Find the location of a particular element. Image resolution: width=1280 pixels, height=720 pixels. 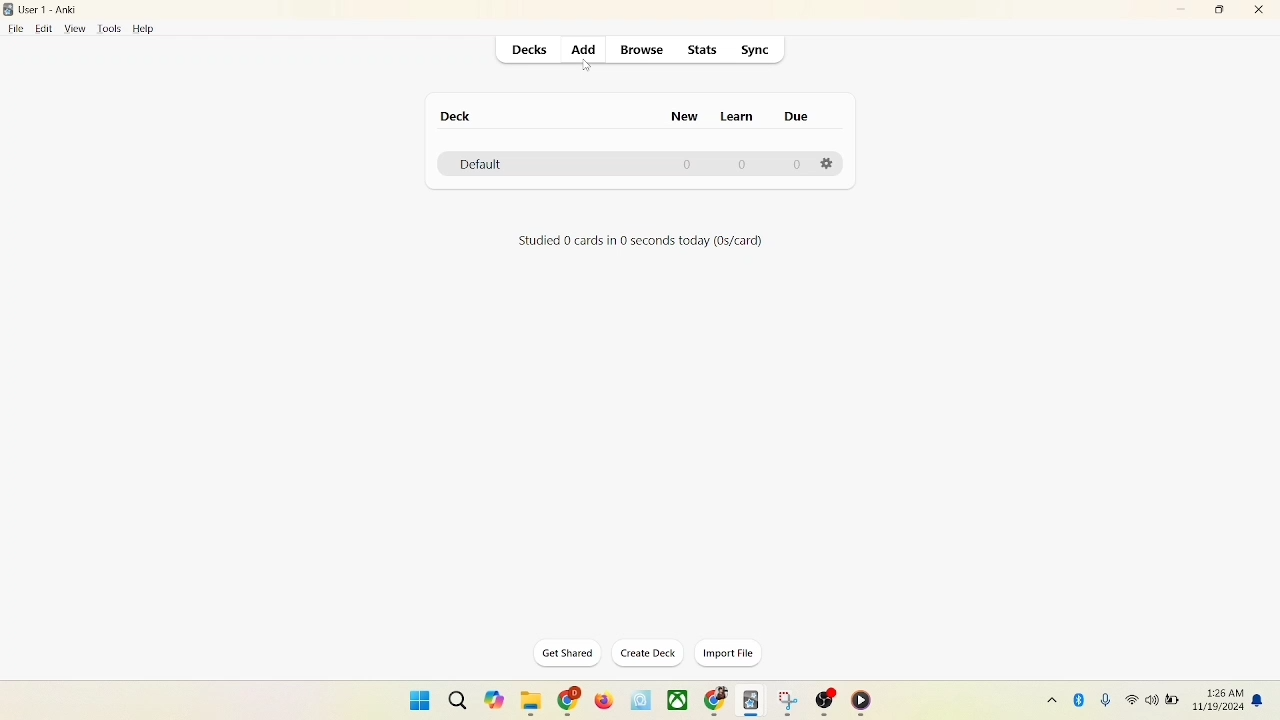

import file is located at coordinates (726, 656).